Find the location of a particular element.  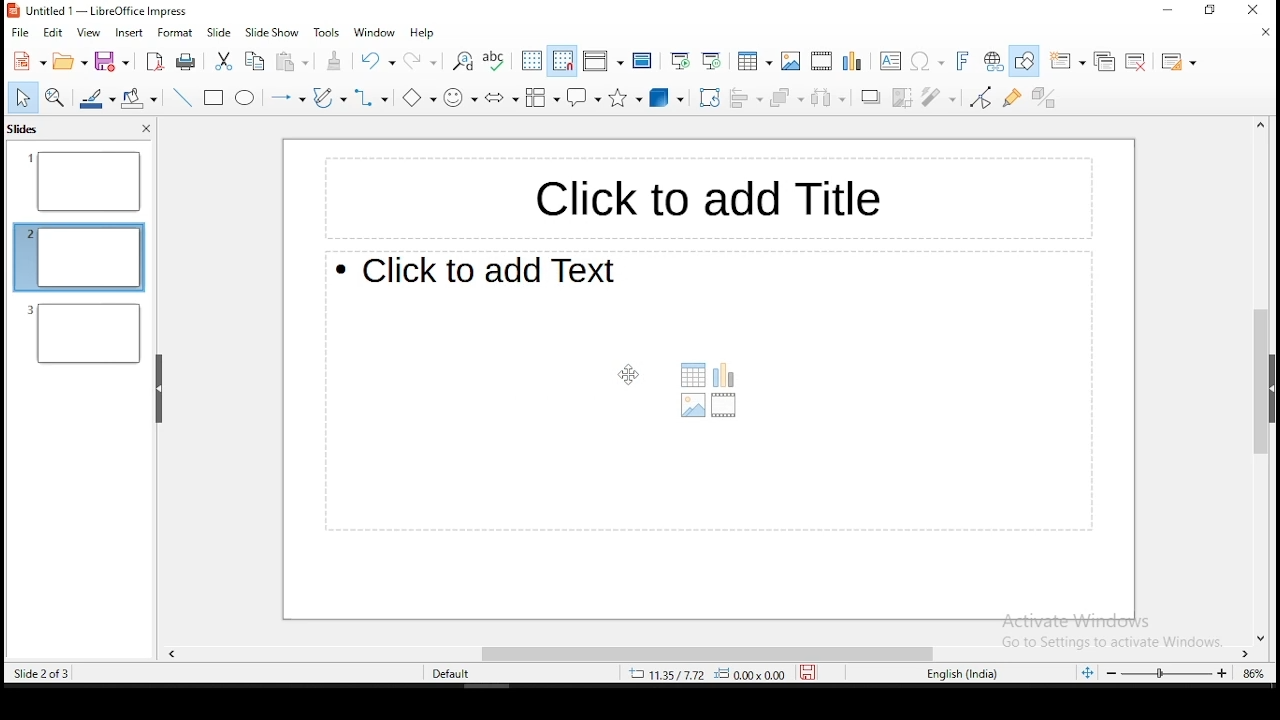

Shadow is located at coordinates (871, 96).